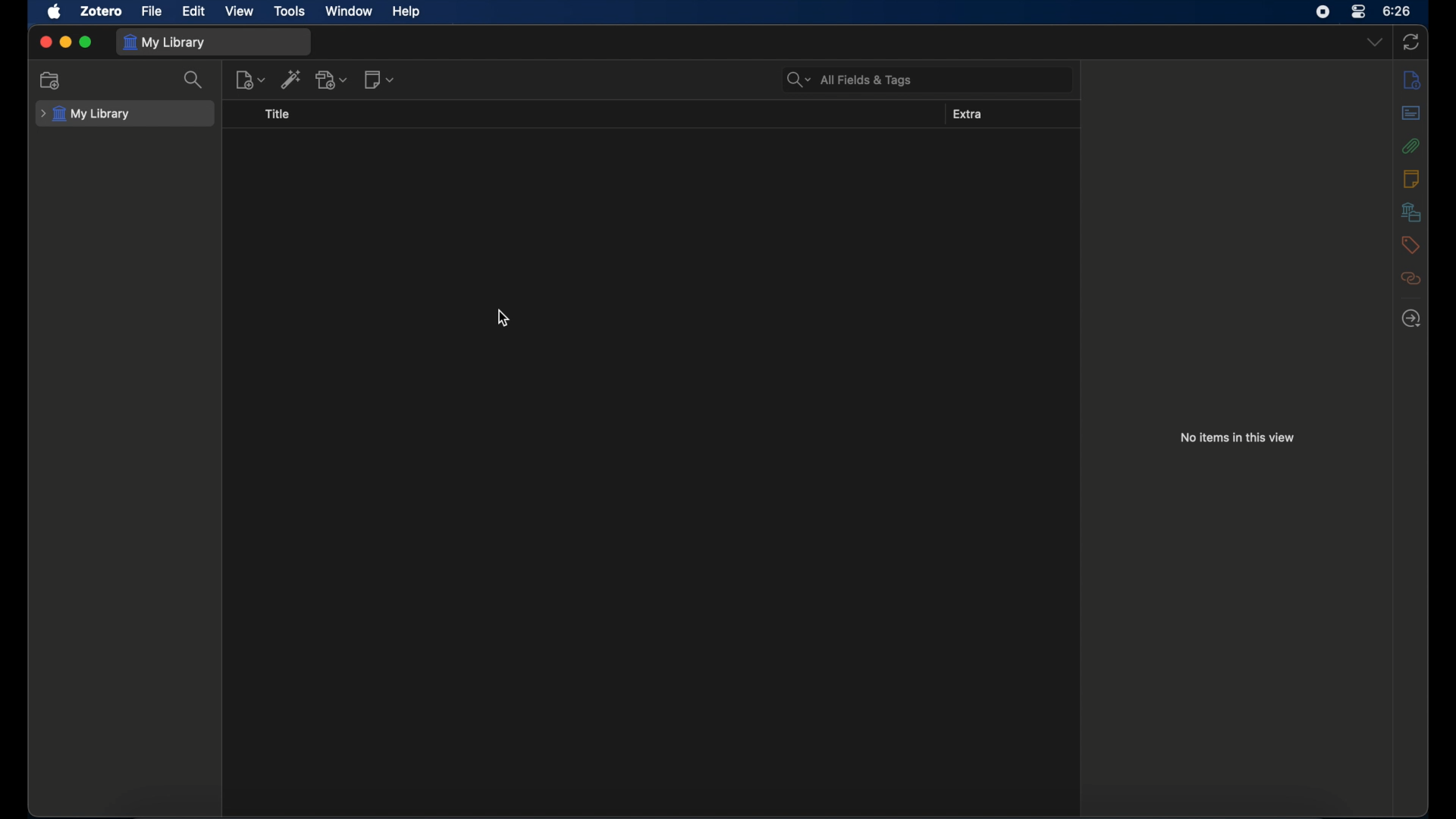 The image size is (1456, 819). I want to click on search bar, so click(848, 80).